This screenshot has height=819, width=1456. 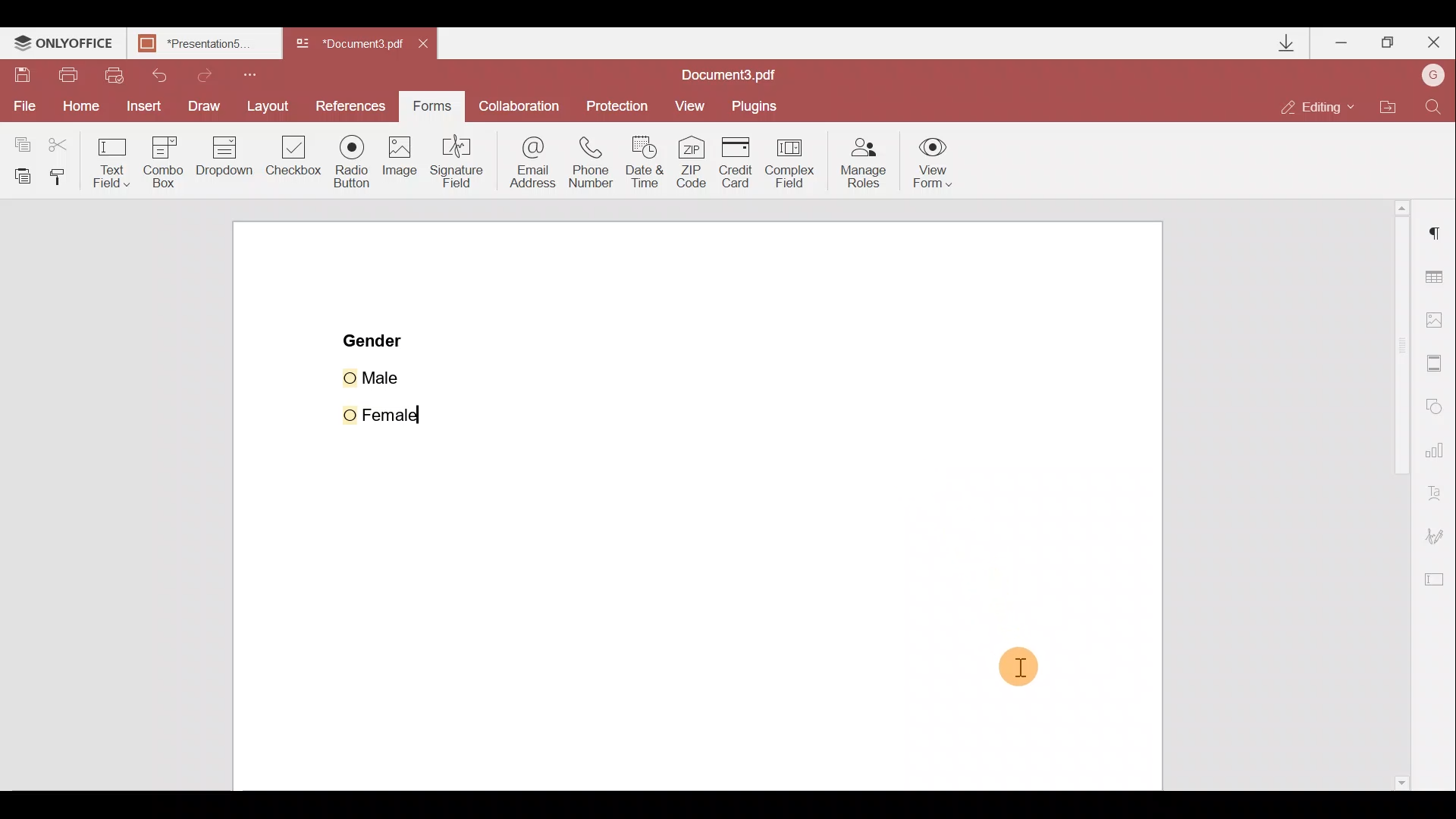 I want to click on Home, so click(x=77, y=108).